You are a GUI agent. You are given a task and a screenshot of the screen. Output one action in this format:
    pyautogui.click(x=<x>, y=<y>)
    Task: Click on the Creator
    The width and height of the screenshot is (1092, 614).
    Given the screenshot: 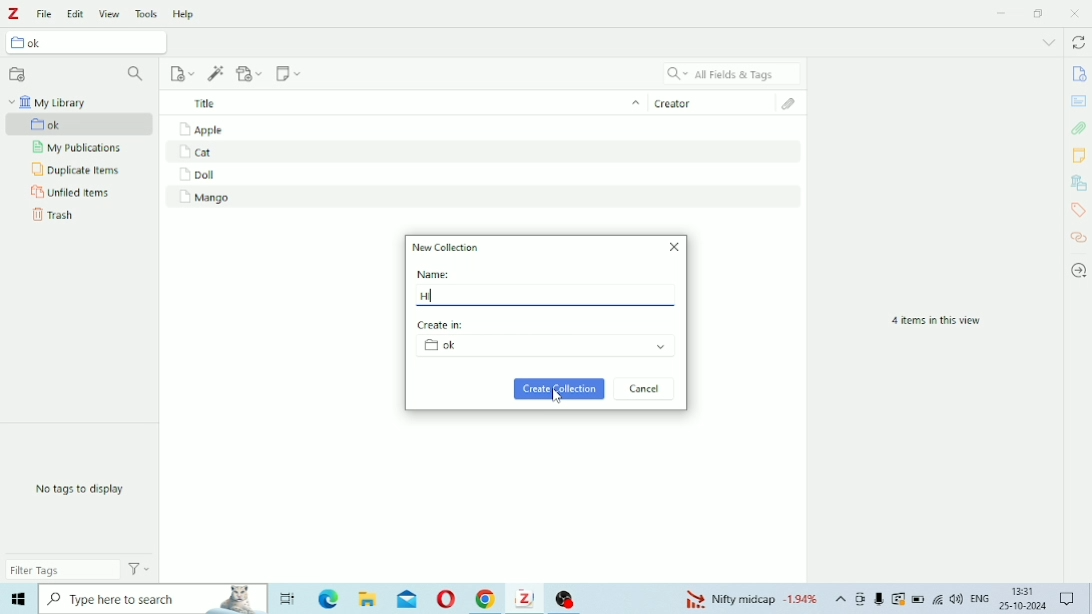 What is the action you would take?
    pyautogui.click(x=713, y=101)
    